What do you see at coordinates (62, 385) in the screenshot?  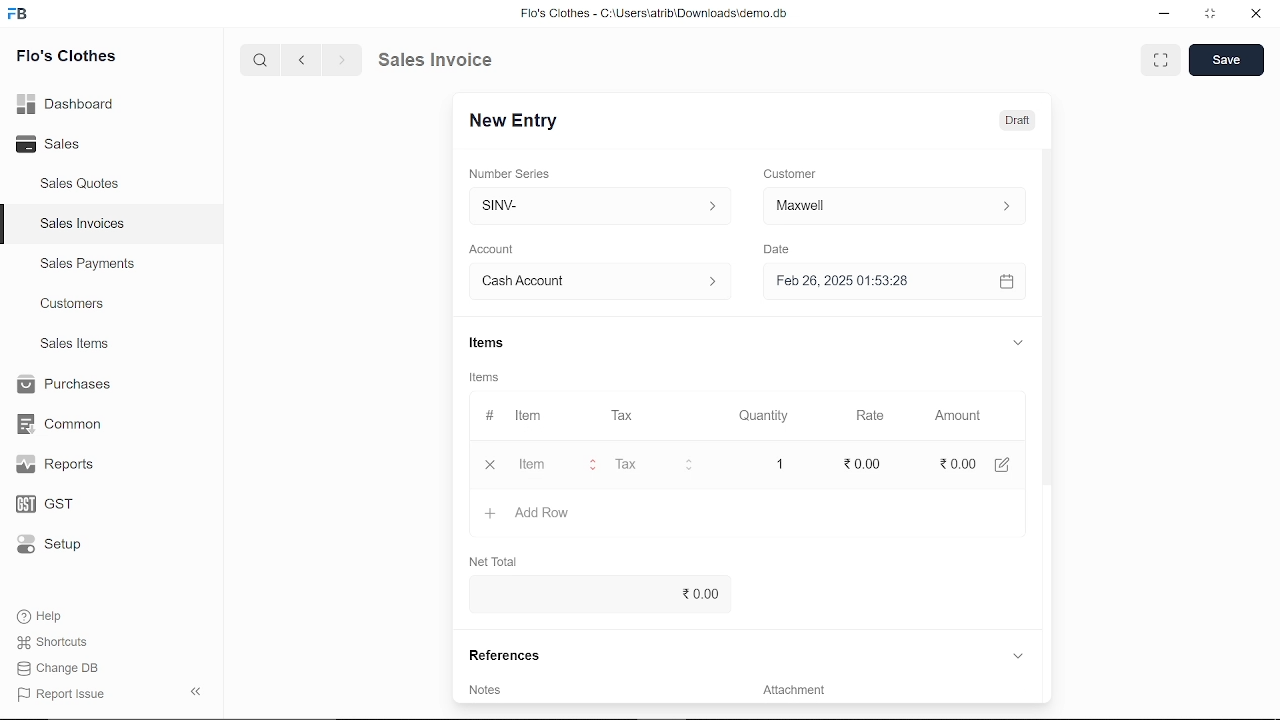 I see `Purchases` at bounding box center [62, 385].